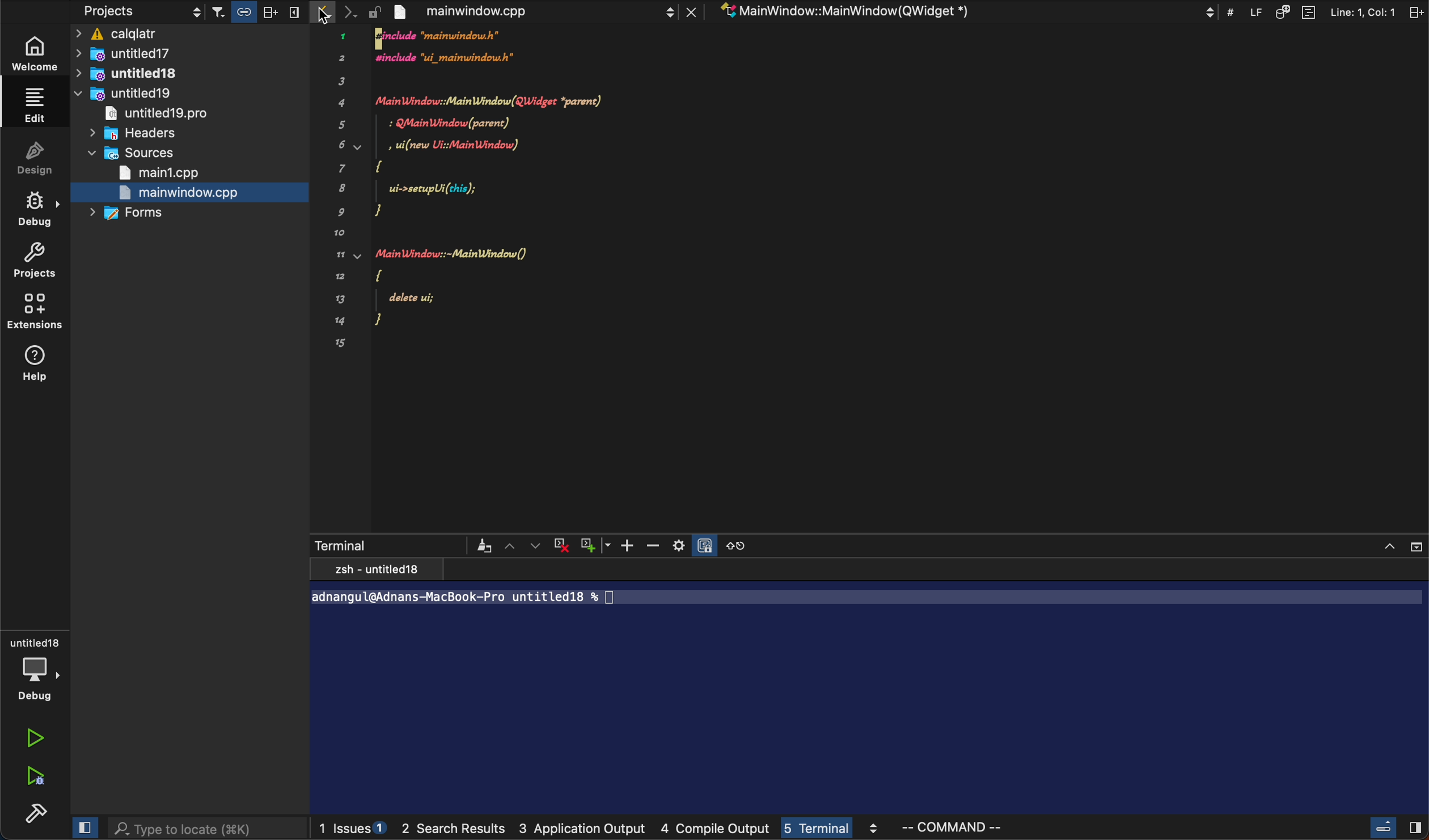  What do you see at coordinates (323, 14) in the screenshot?
I see `cursor` at bounding box center [323, 14].